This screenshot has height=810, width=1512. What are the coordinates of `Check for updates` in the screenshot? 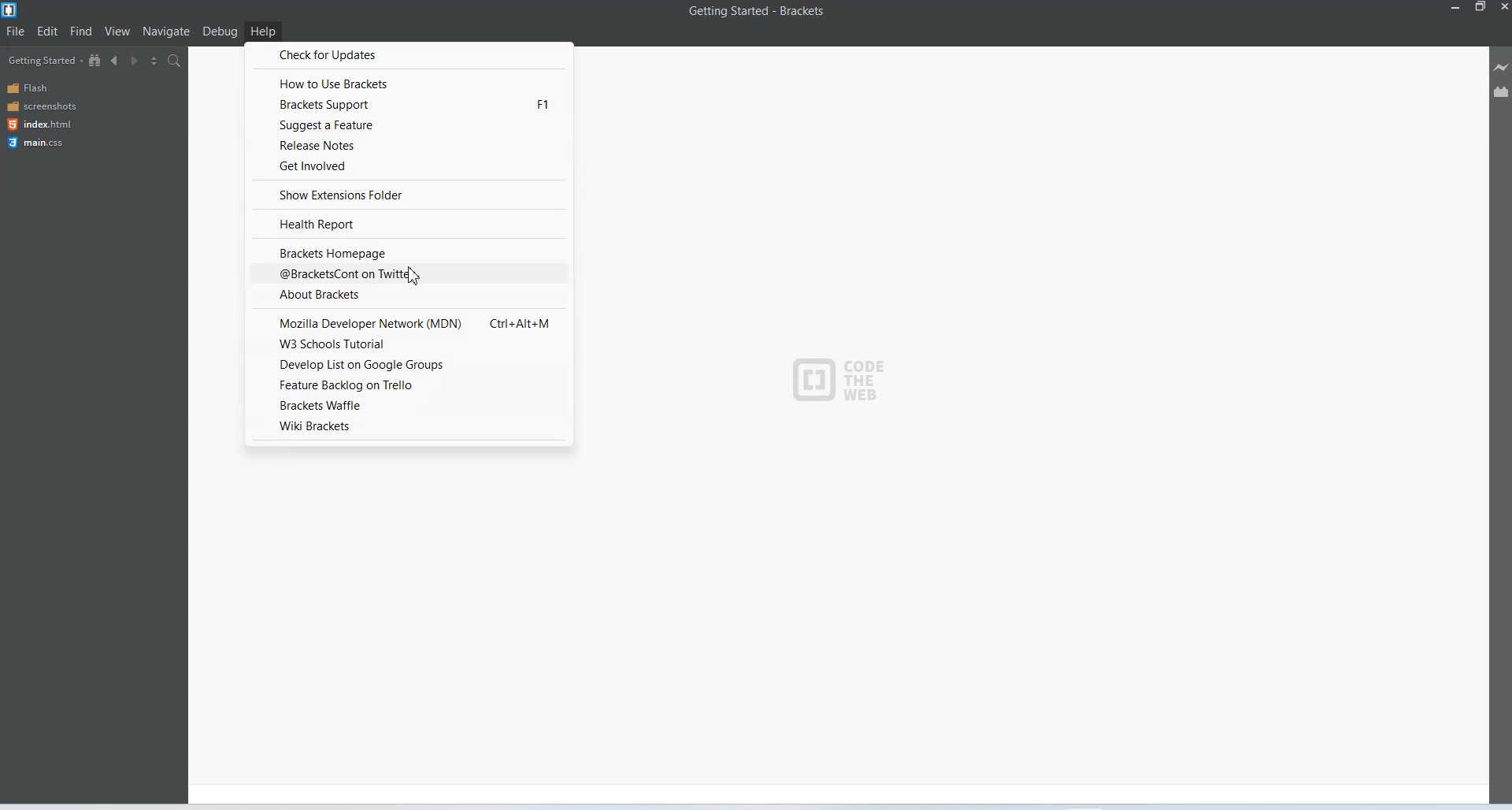 It's located at (409, 55).